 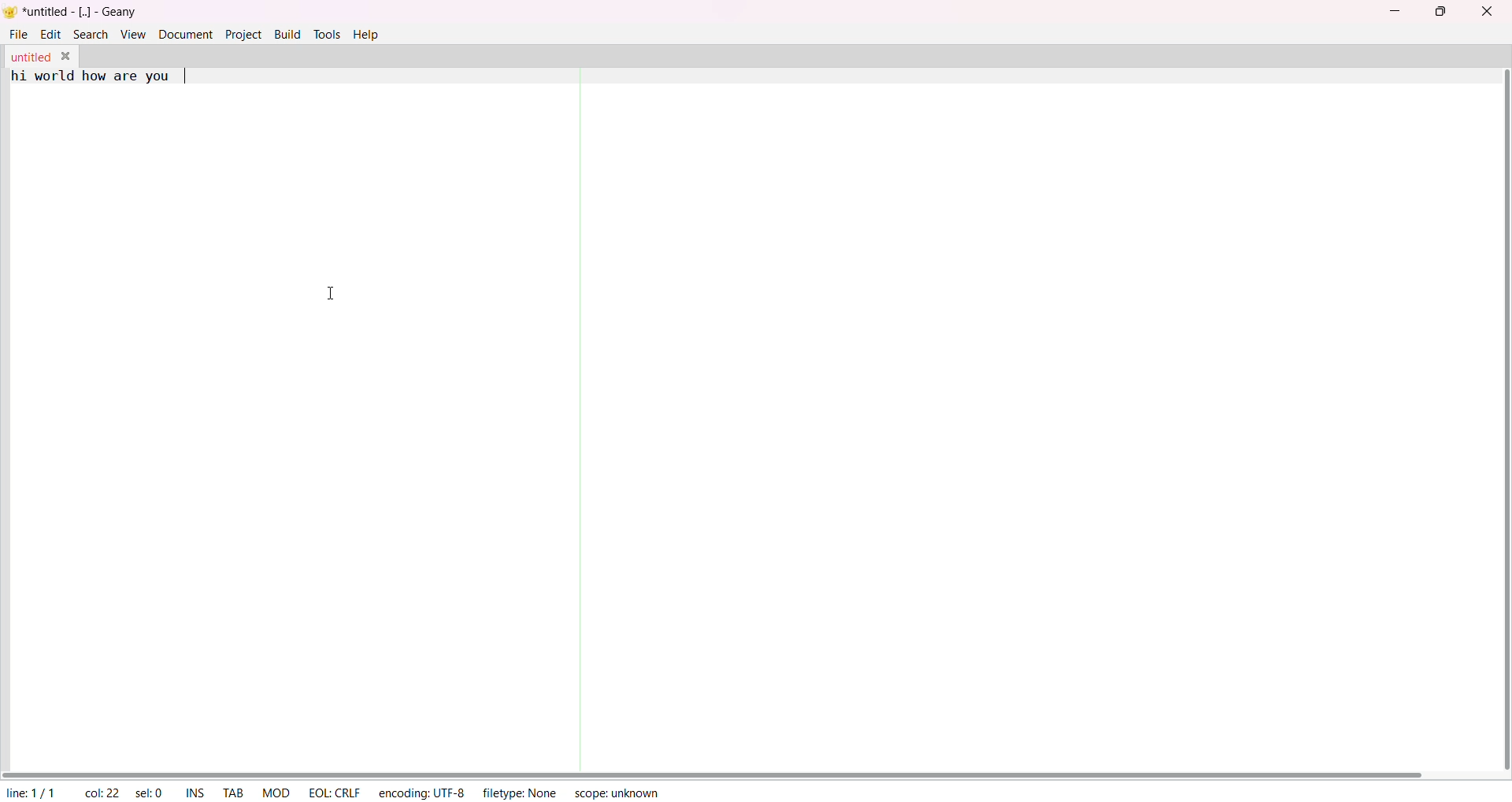 What do you see at coordinates (16, 33) in the screenshot?
I see `file` at bounding box center [16, 33].